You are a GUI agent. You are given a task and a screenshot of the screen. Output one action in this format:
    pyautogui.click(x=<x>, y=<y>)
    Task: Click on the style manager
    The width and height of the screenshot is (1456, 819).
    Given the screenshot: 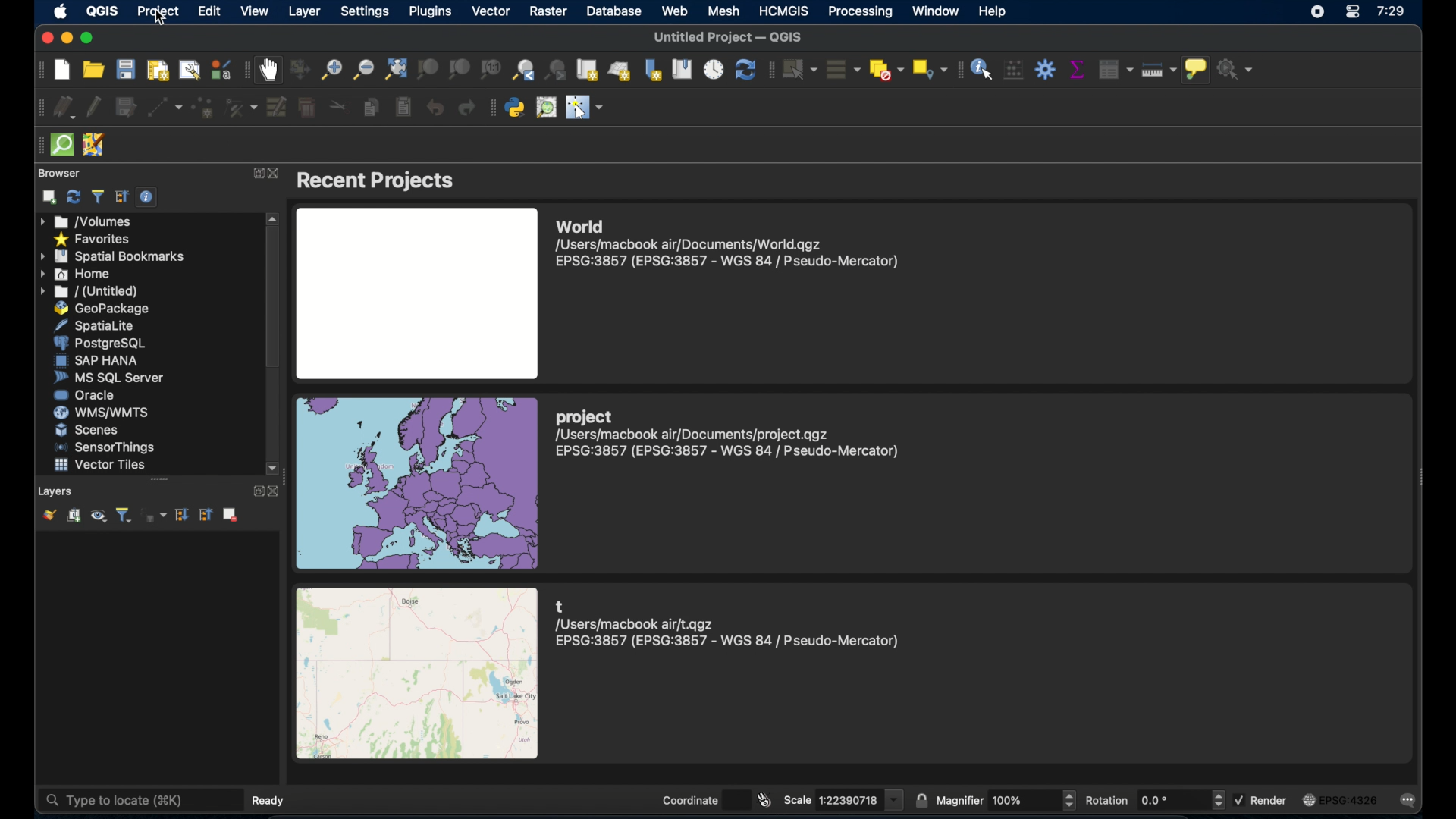 What is the action you would take?
    pyautogui.click(x=219, y=69)
    